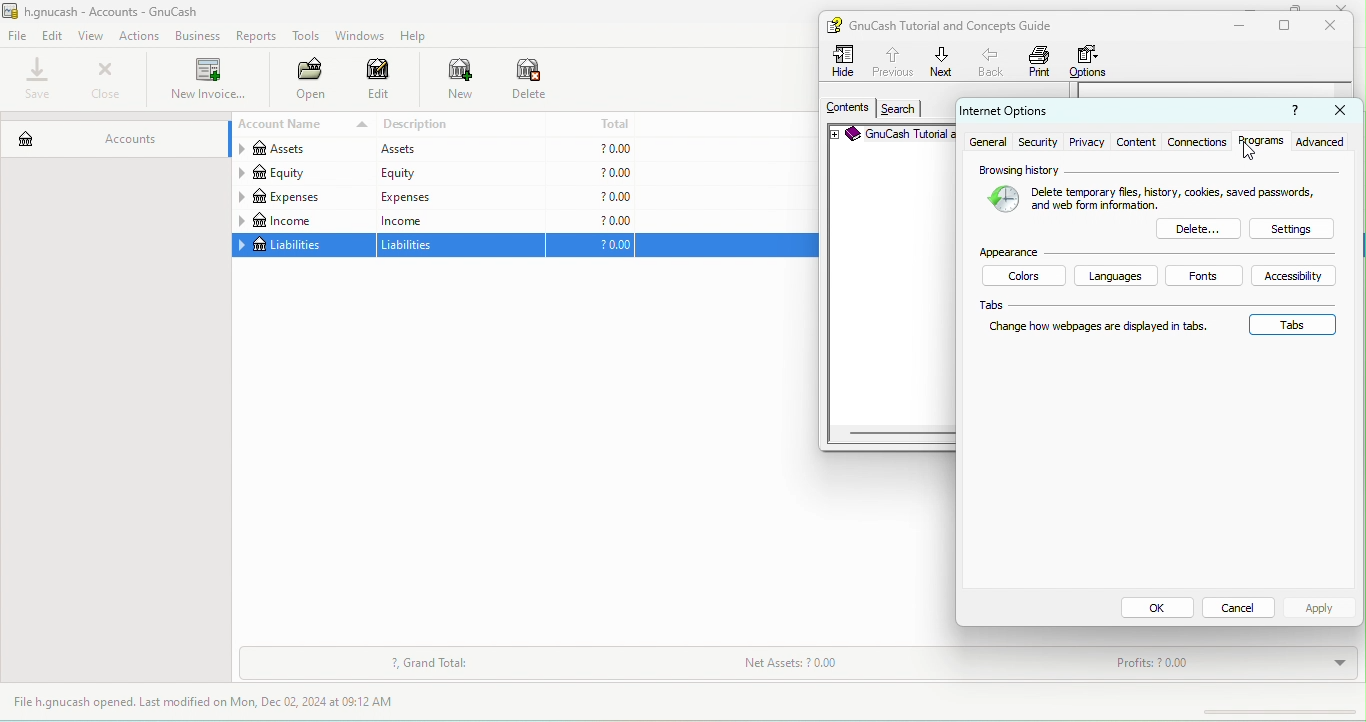 The width and height of the screenshot is (1366, 722). I want to click on gnu cash tutorial and concepts guide, so click(959, 25).